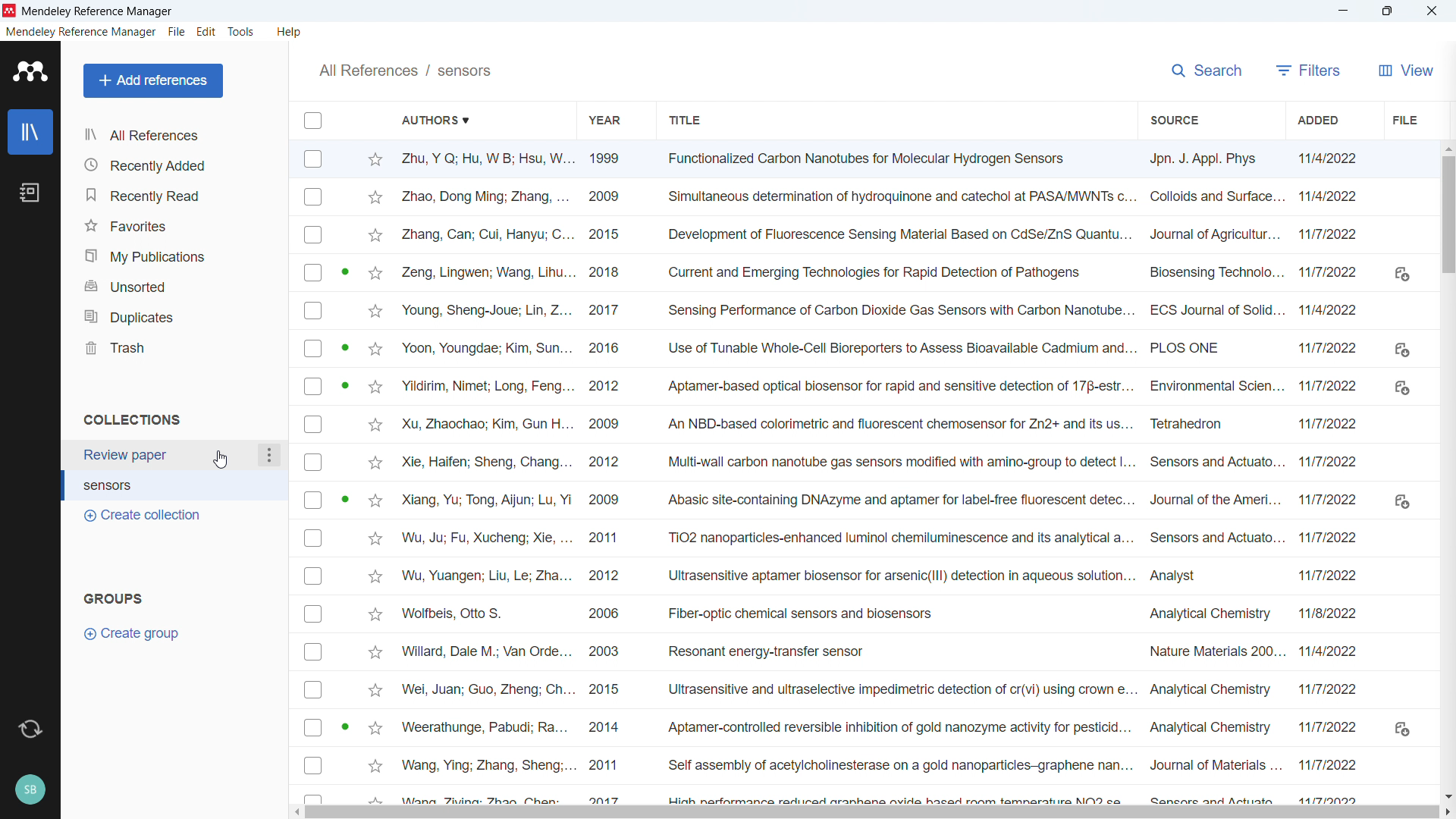 The height and width of the screenshot is (819, 1456). Describe the element at coordinates (438, 119) in the screenshot. I see `Sort by authors ` at that location.